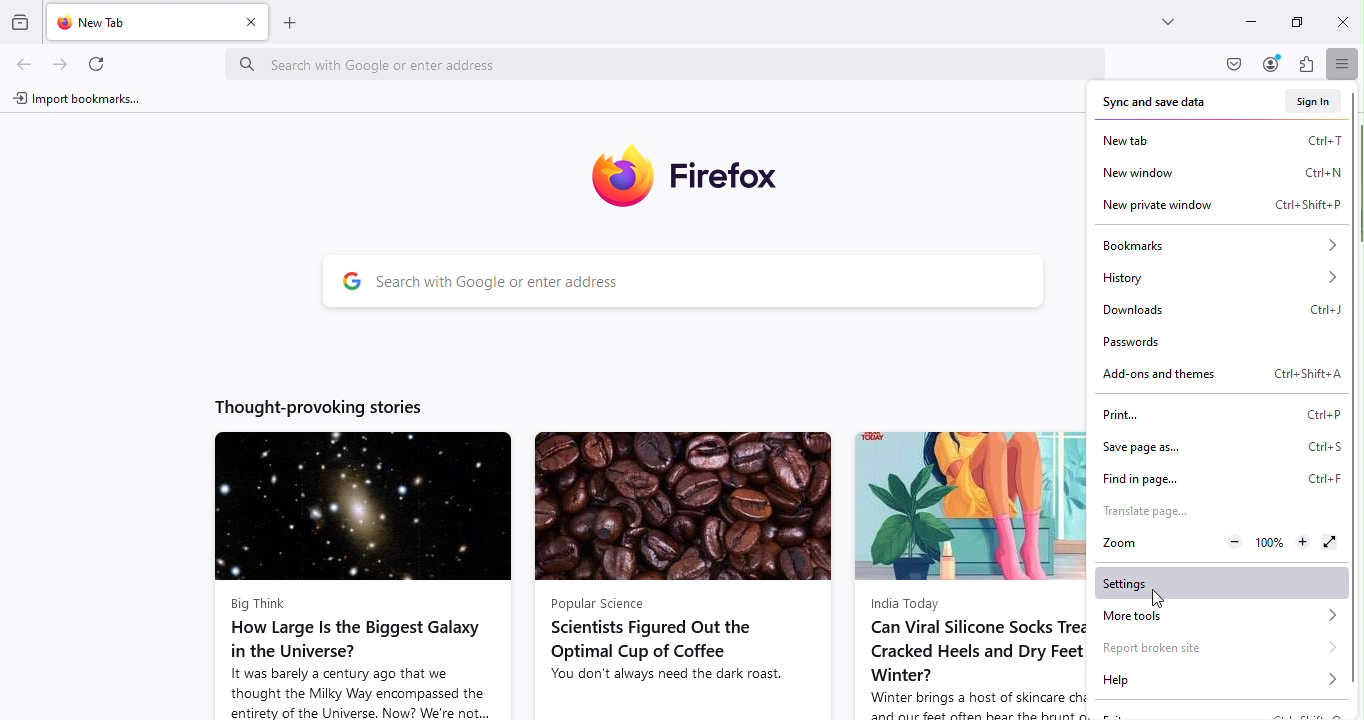 The width and height of the screenshot is (1364, 720). What do you see at coordinates (350, 283) in the screenshot?
I see `google logo` at bounding box center [350, 283].